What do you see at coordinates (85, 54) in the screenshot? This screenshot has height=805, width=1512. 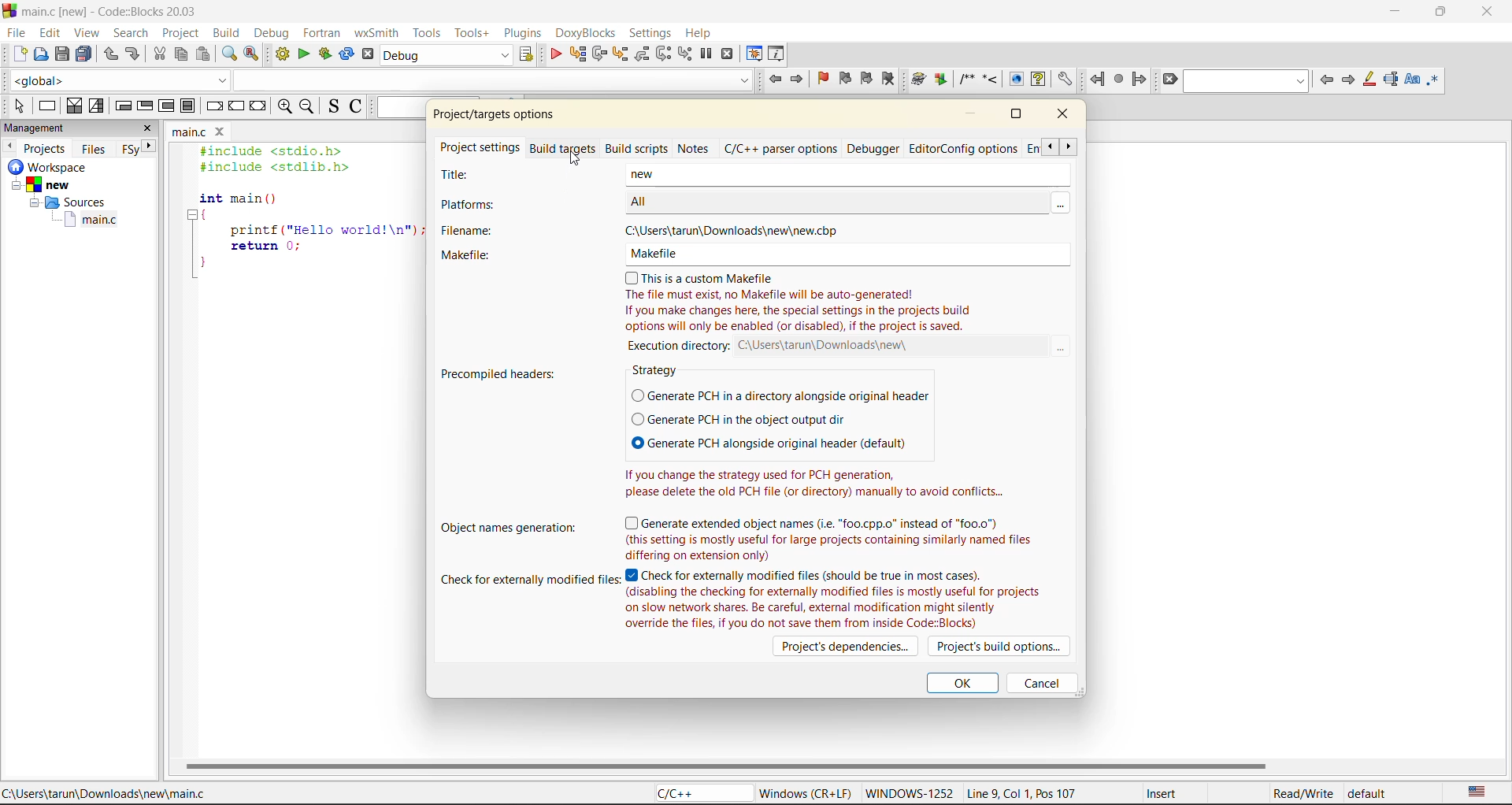 I see `save everything` at bounding box center [85, 54].